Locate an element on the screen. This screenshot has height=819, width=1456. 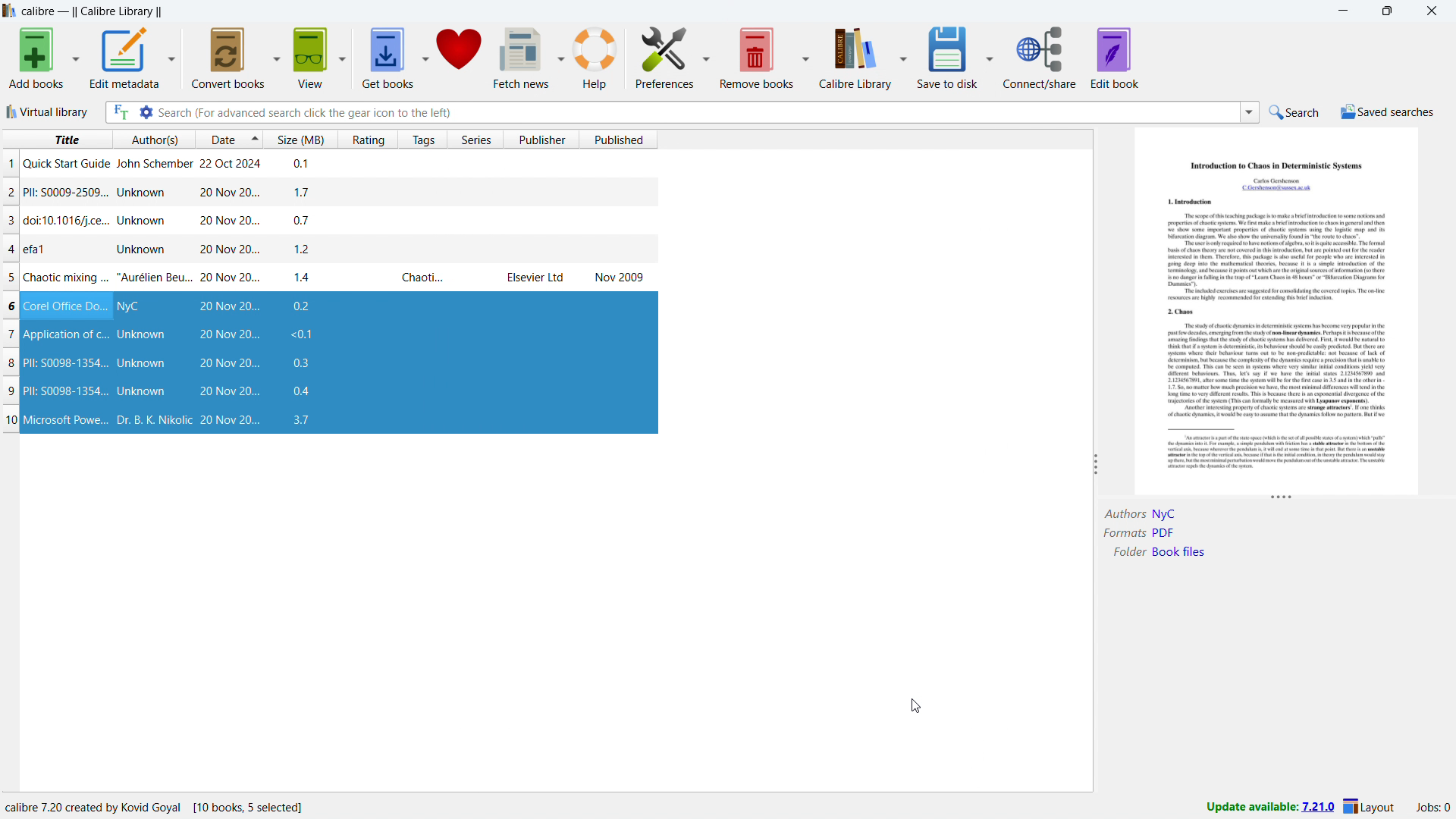
convert books is located at coordinates (229, 58).